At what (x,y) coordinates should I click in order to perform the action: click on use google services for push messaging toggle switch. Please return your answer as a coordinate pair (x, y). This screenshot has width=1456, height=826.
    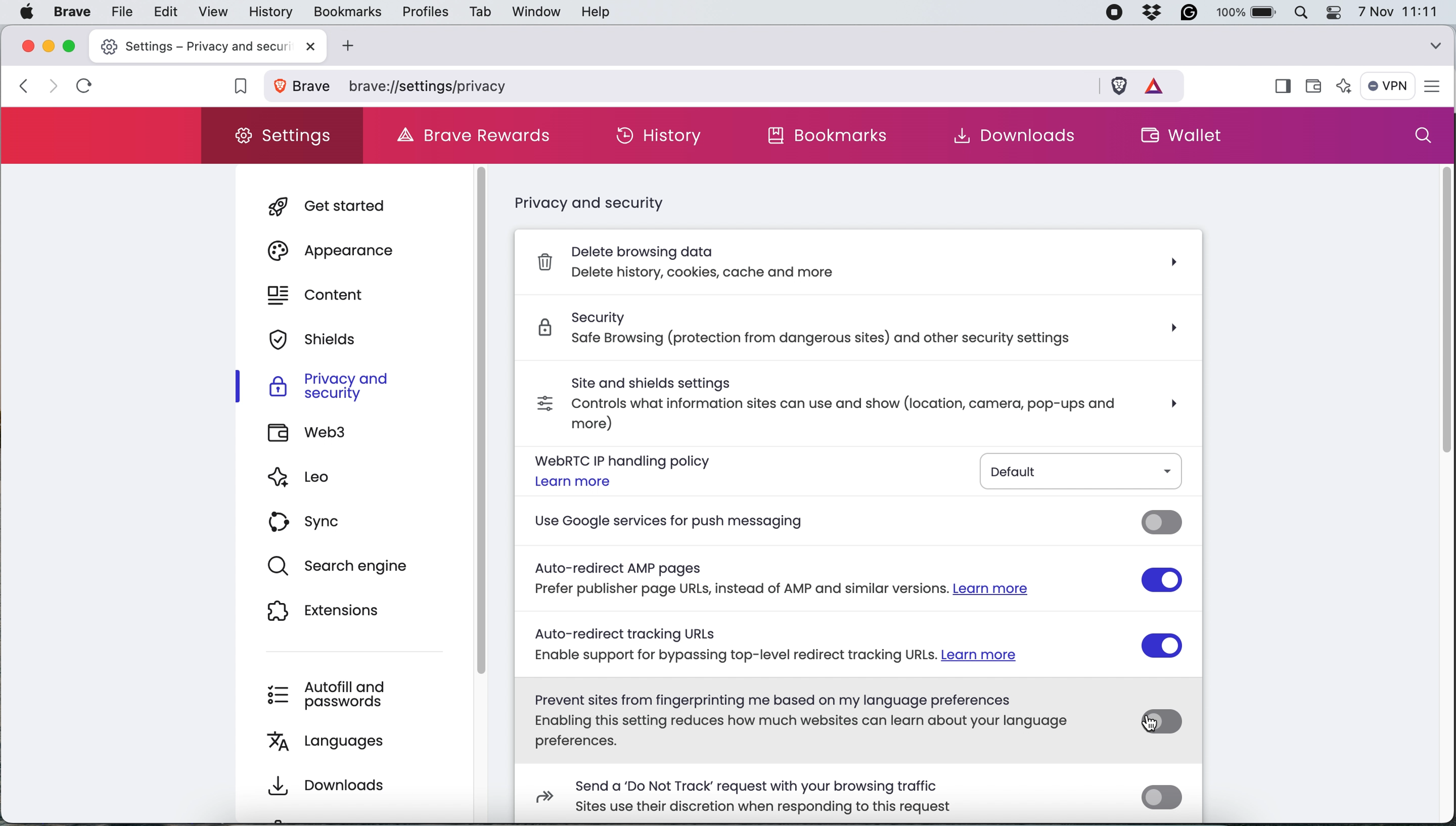
    Looking at the image, I should click on (1162, 523).